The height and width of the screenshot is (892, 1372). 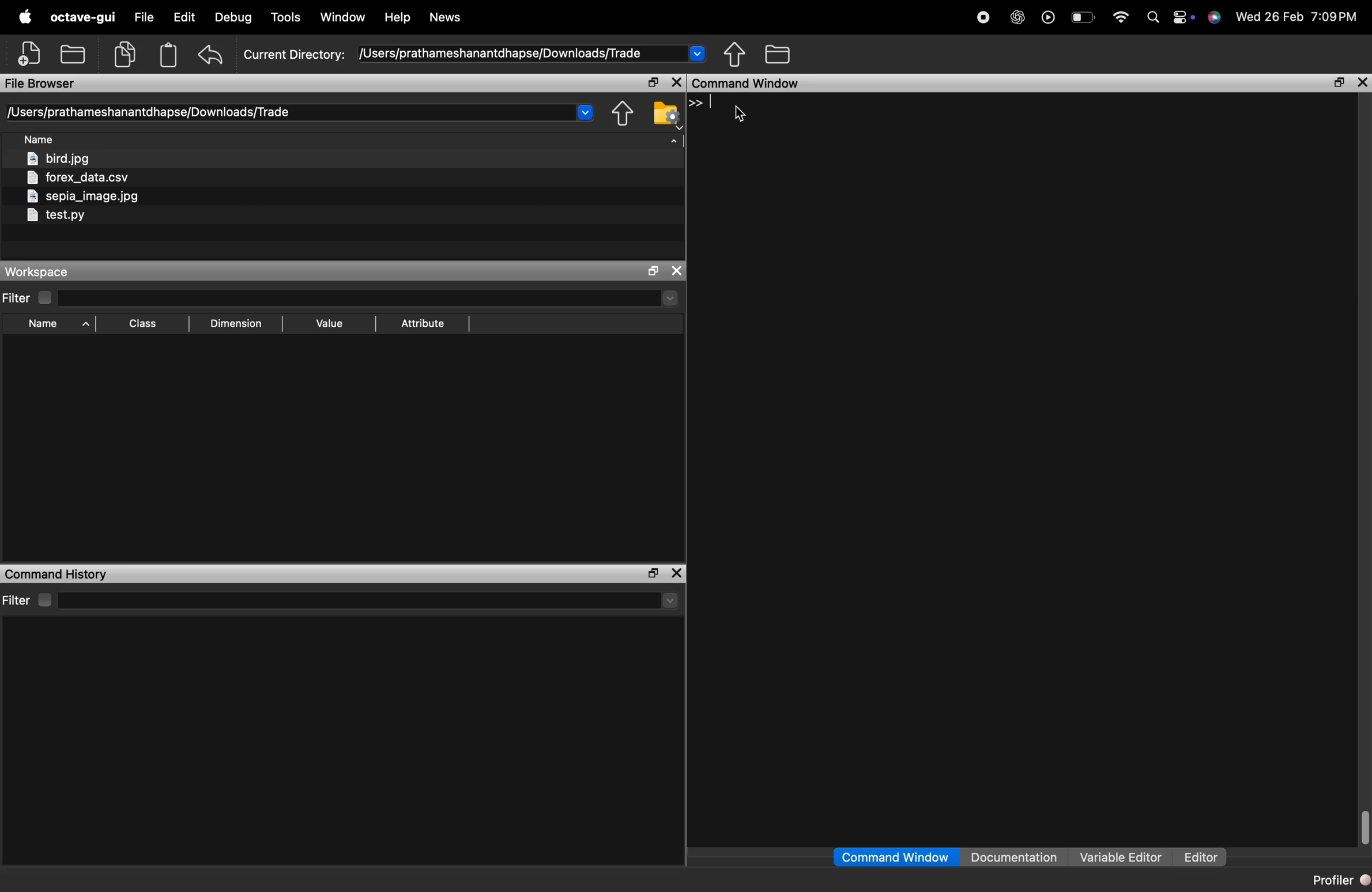 What do you see at coordinates (398, 18) in the screenshot?
I see `help` at bounding box center [398, 18].